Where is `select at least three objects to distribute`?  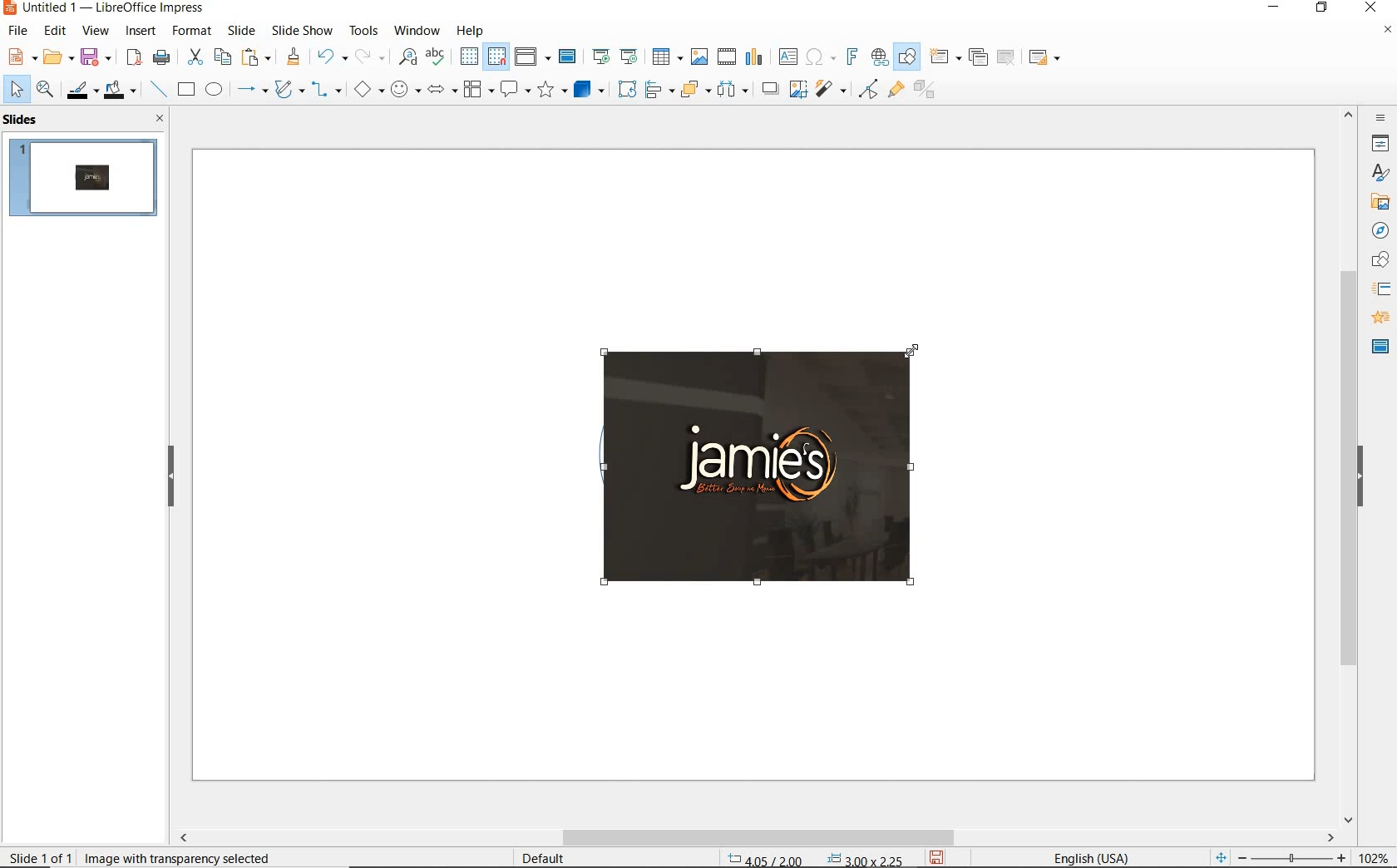
select at least three objects to distribute is located at coordinates (733, 90).